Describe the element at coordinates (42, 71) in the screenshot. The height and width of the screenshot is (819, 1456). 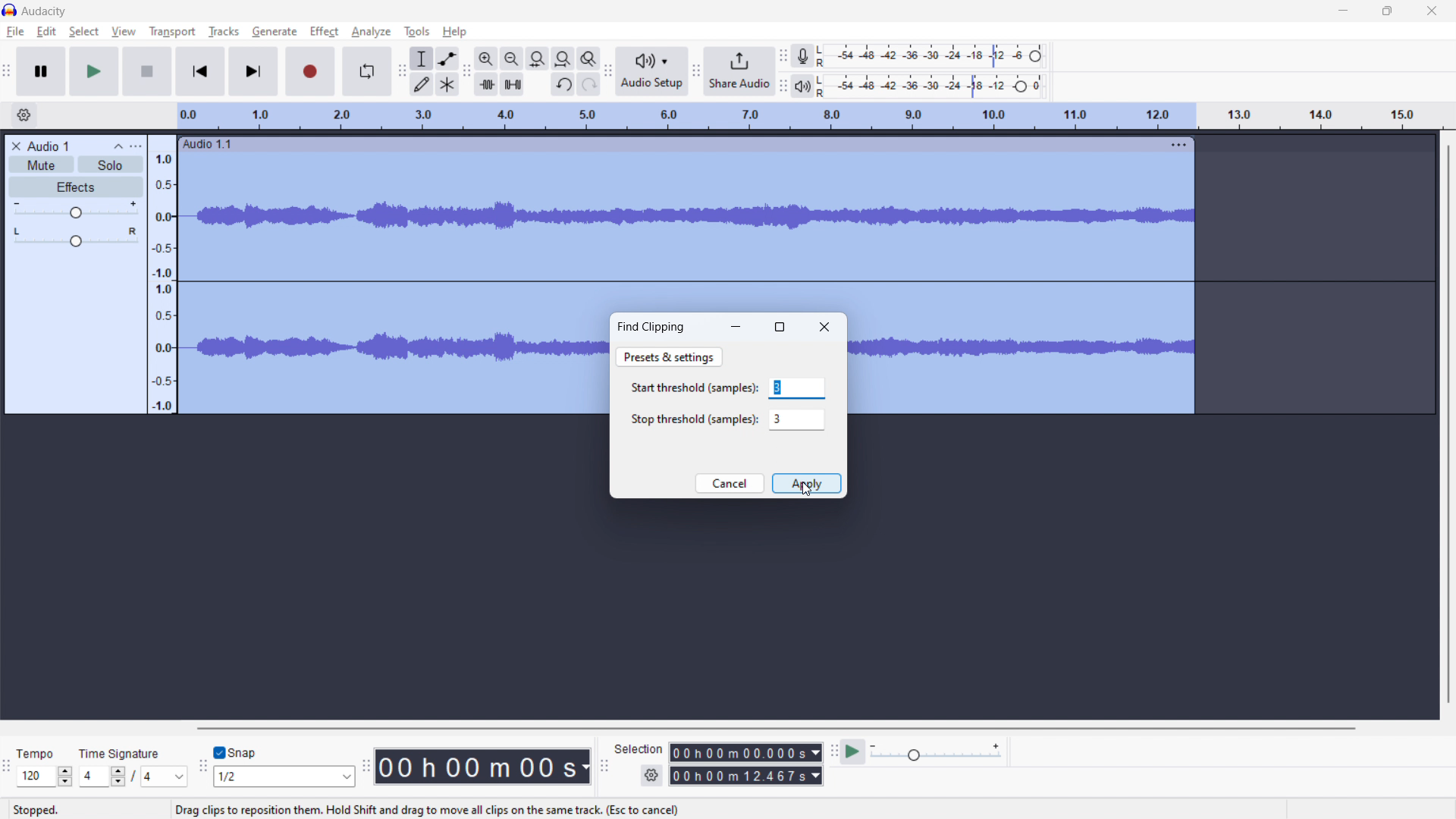
I see `pause` at that location.